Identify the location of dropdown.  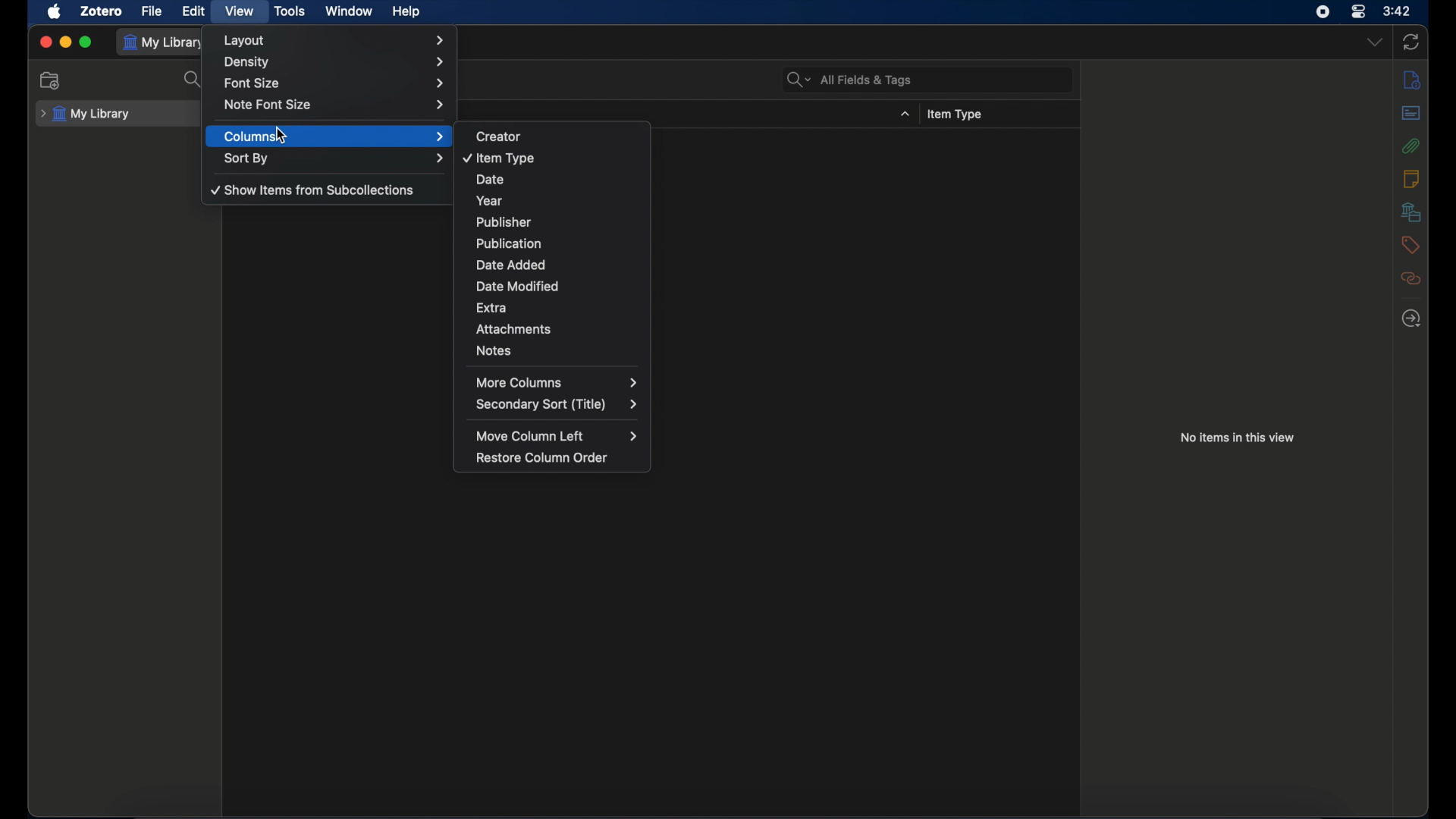
(905, 114).